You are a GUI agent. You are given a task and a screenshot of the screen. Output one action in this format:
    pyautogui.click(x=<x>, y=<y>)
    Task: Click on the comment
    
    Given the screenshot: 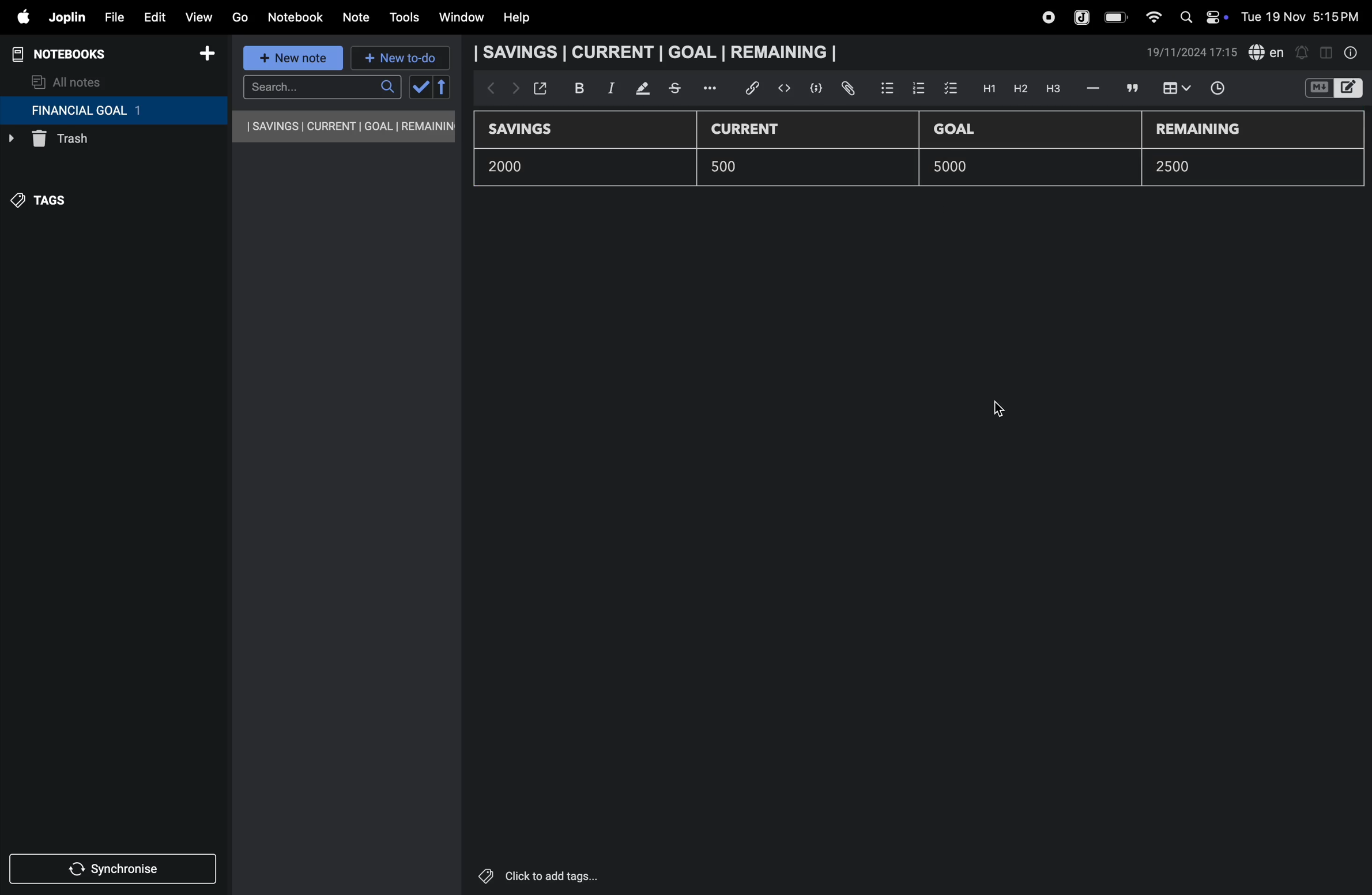 What is the action you would take?
    pyautogui.click(x=1130, y=88)
    